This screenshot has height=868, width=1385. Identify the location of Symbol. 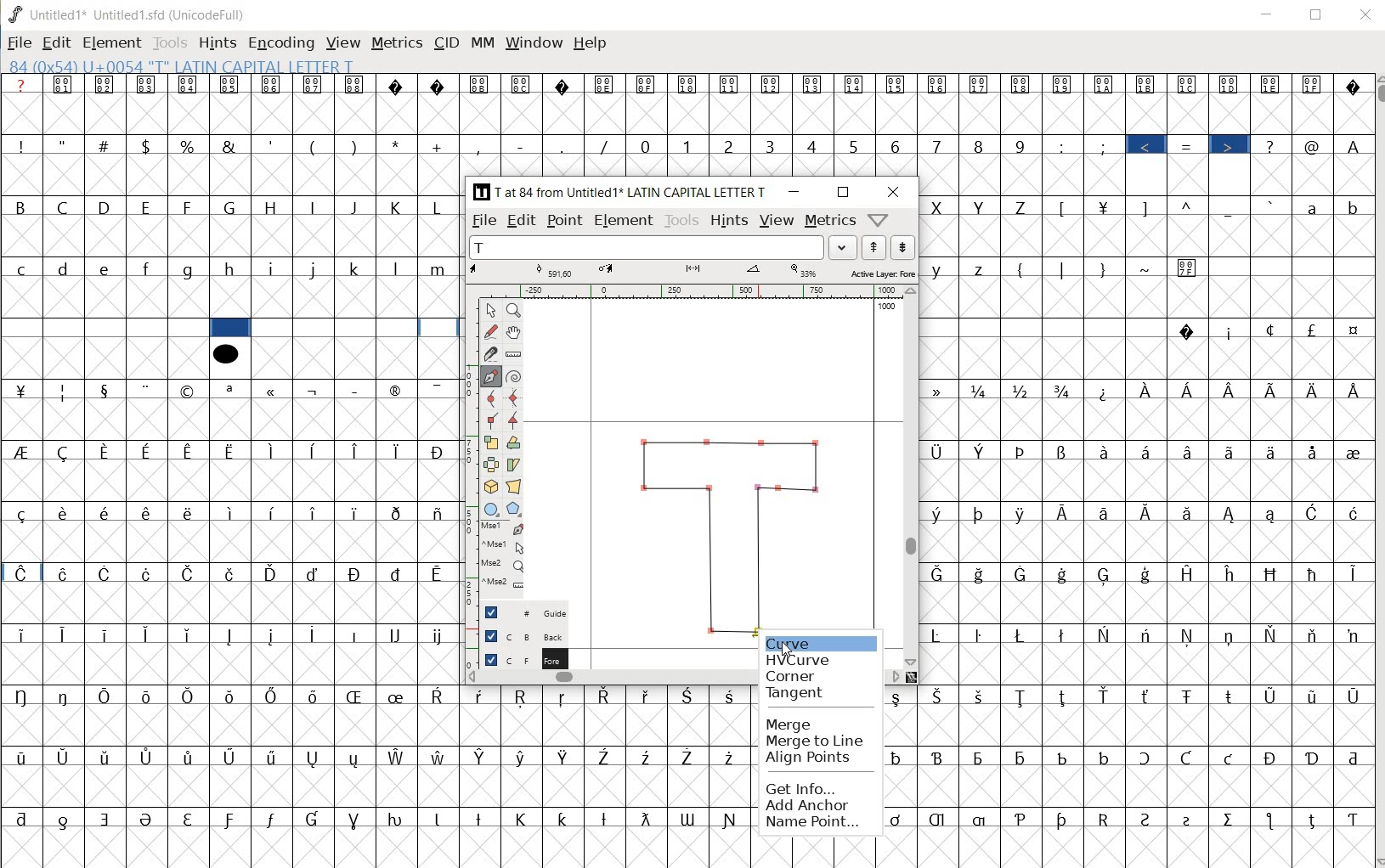
(232, 821).